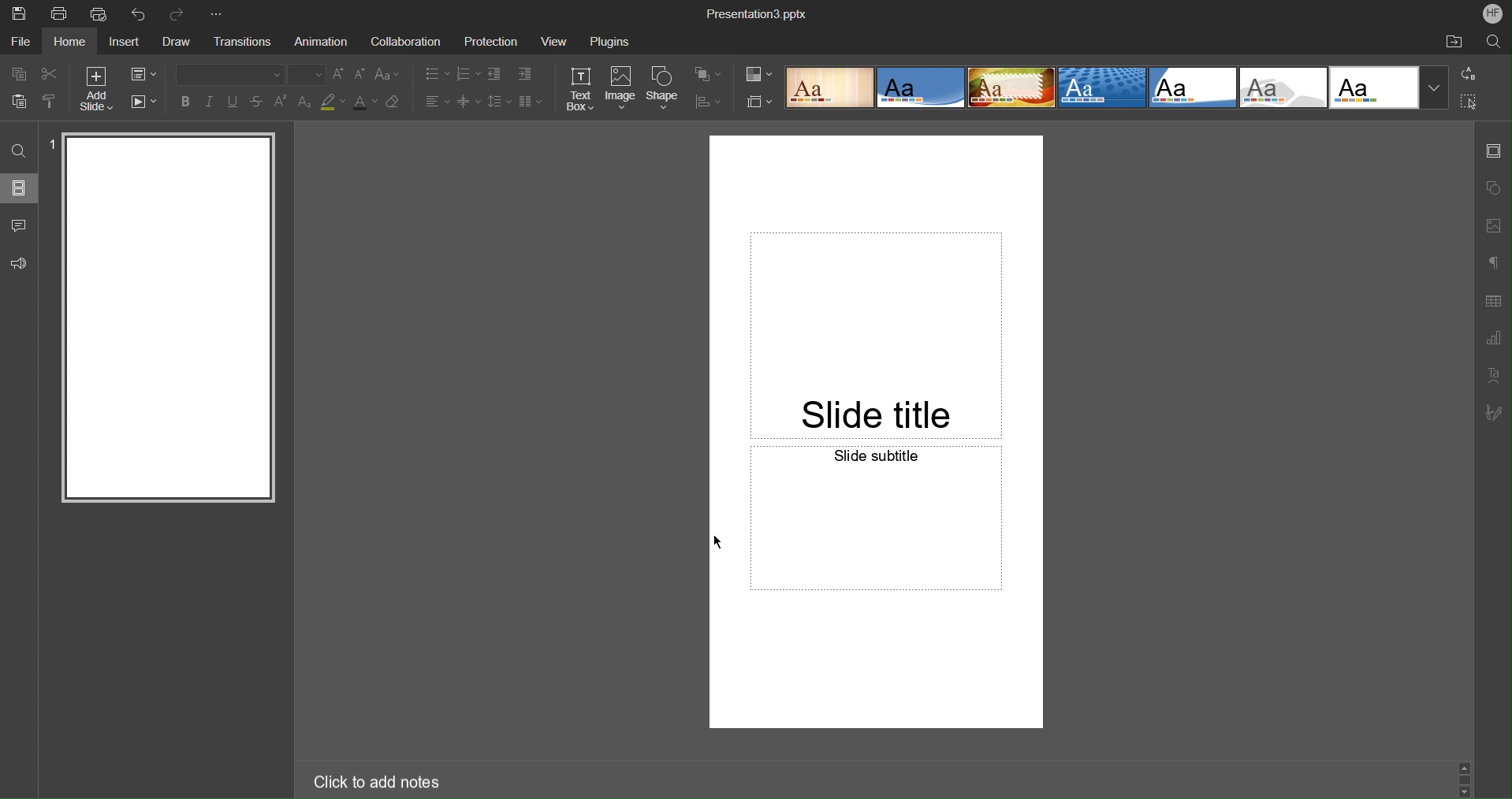  Describe the element at coordinates (17, 225) in the screenshot. I see `Comments` at that location.